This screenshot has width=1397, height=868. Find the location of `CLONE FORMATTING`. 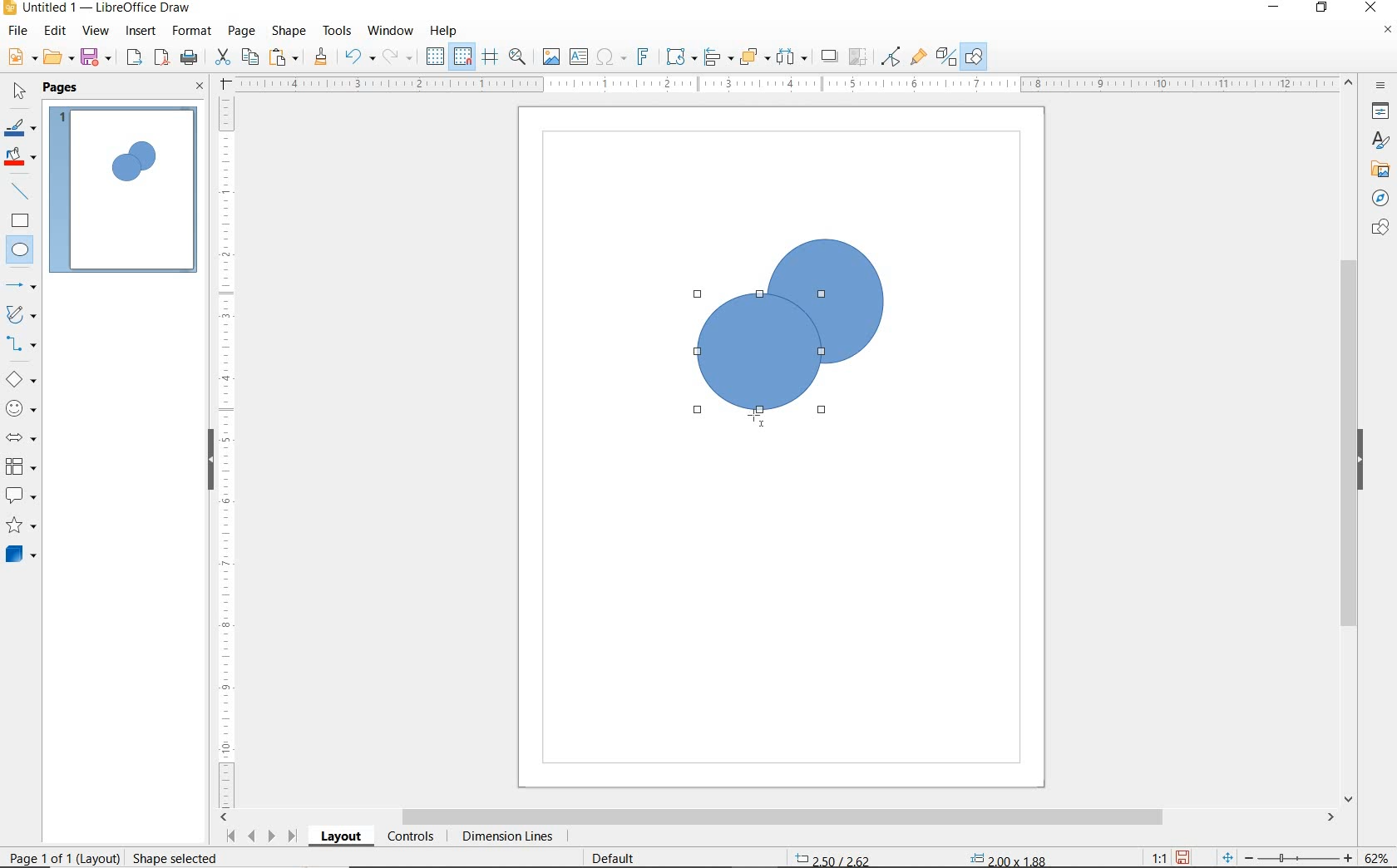

CLONE FORMATTING is located at coordinates (320, 57).